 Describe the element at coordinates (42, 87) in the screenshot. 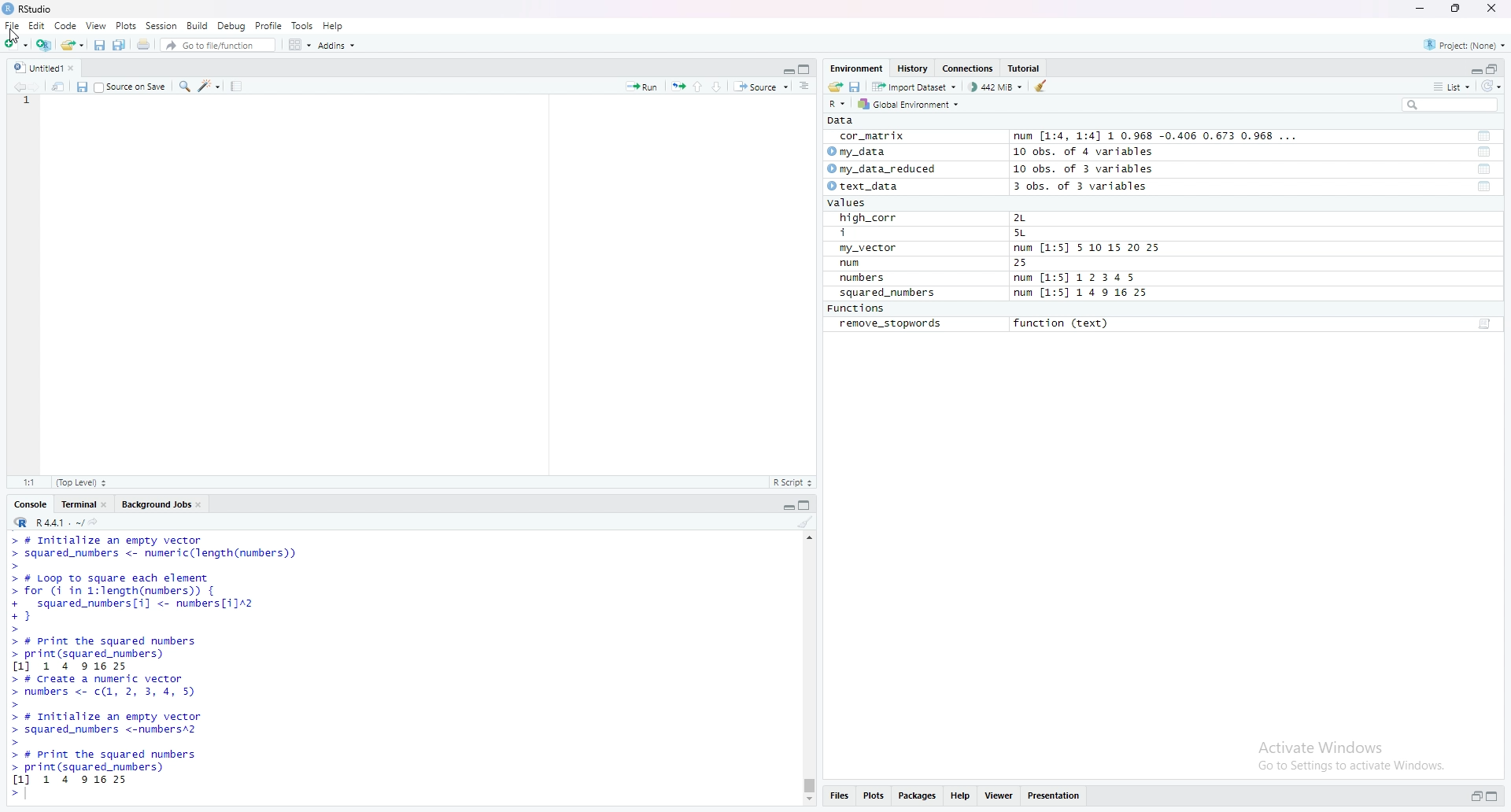

I see `Move forward` at that location.